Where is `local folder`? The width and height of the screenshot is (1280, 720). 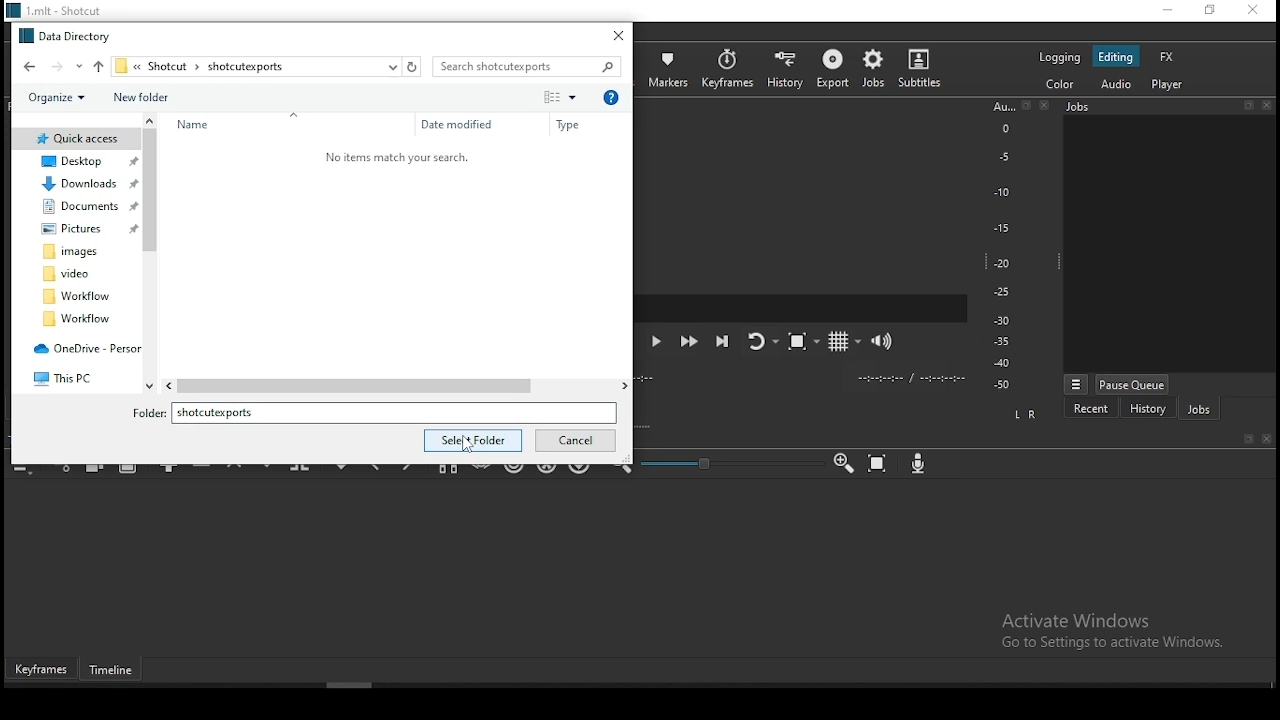 local folder is located at coordinates (74, 229).